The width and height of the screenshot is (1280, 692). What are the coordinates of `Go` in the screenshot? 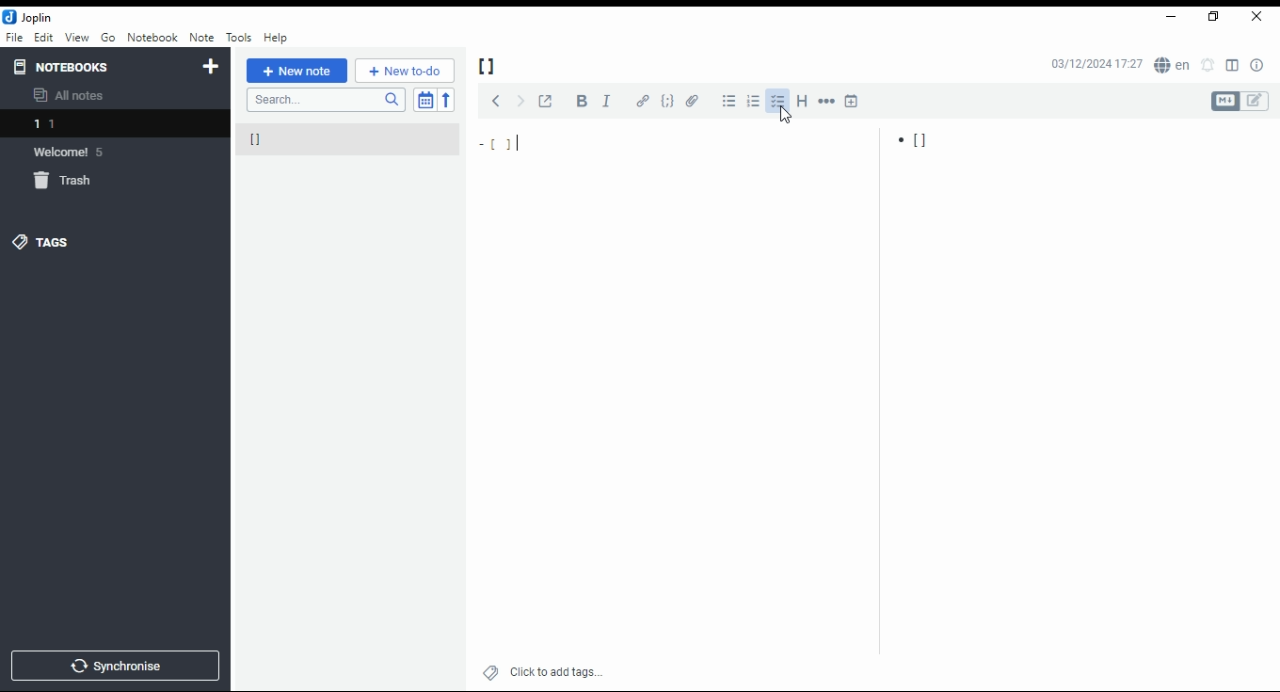 It's located at (108, 36).